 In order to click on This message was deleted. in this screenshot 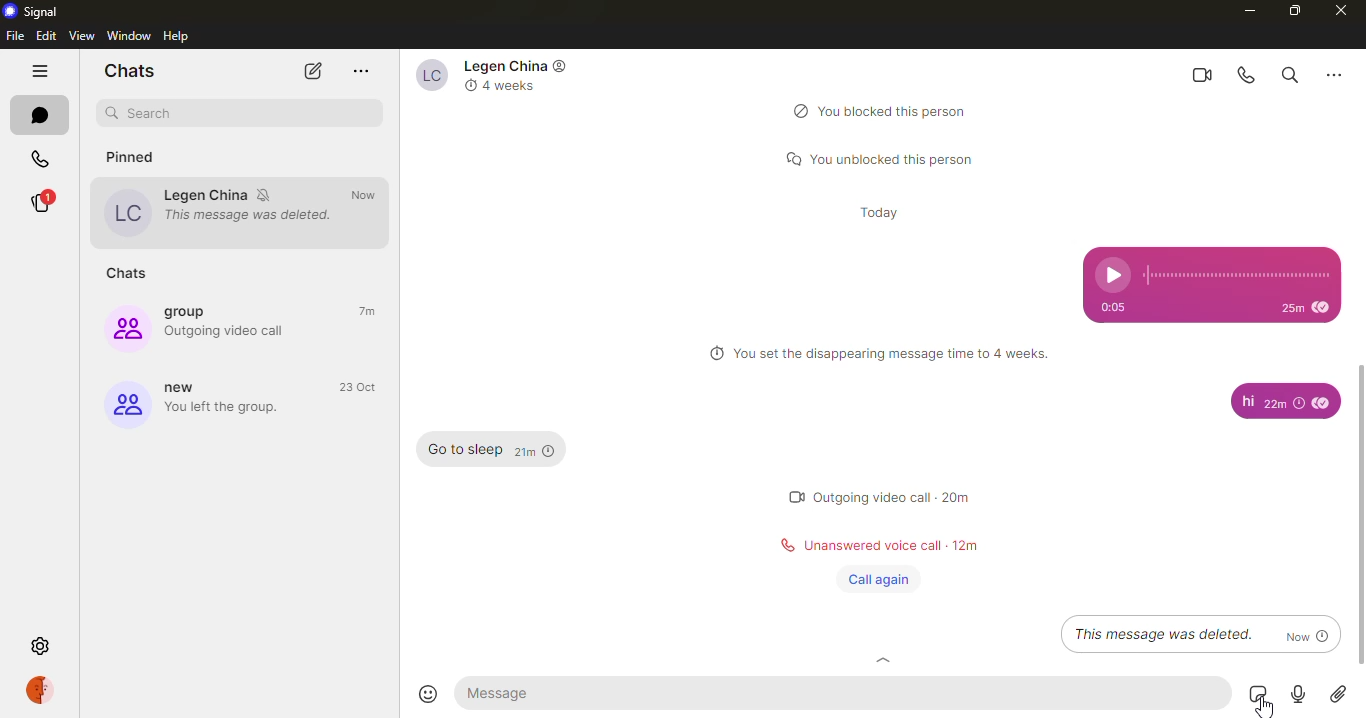, I will do `click(252, 216)`.